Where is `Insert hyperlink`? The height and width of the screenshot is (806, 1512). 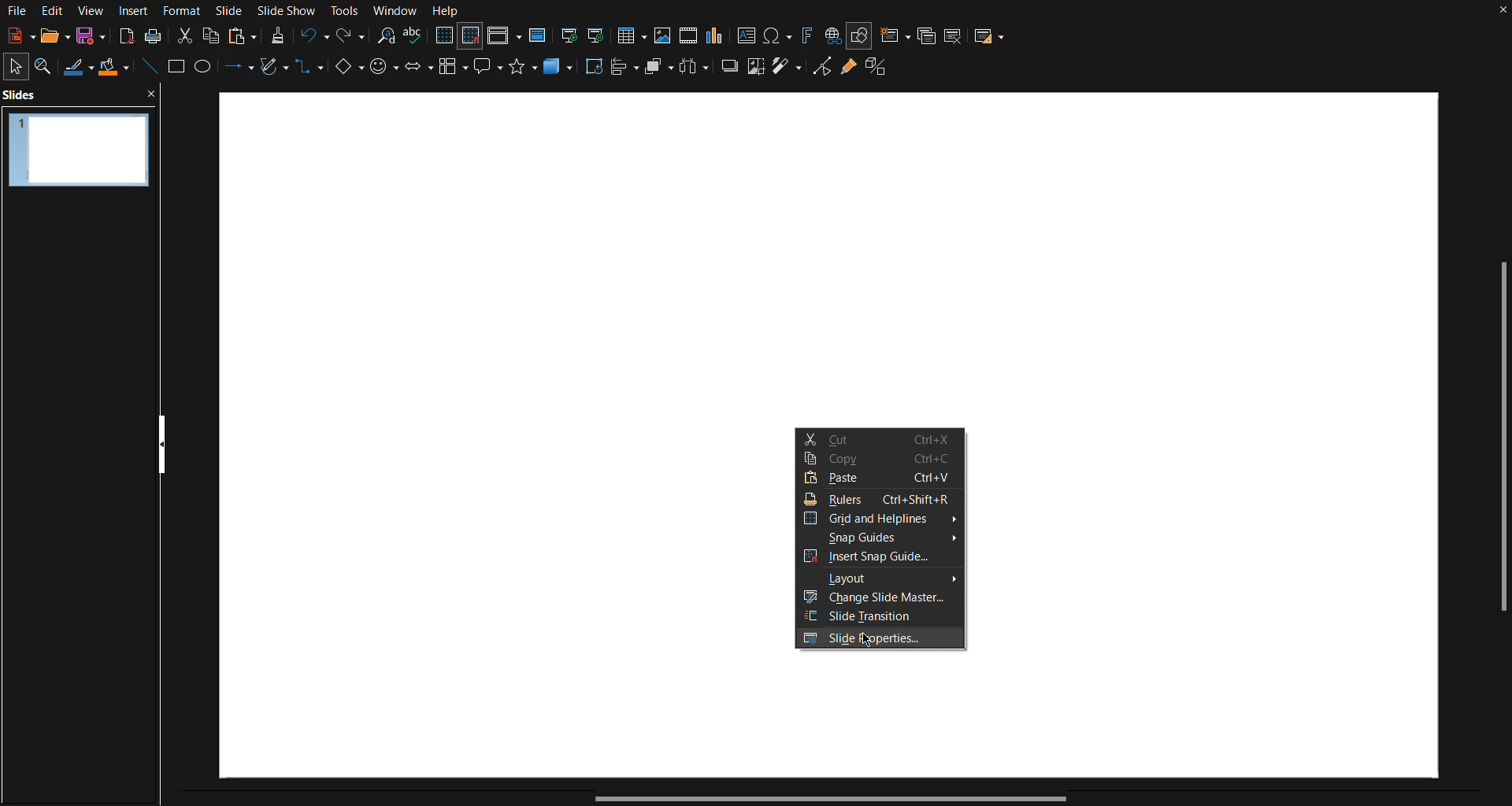 Insert hyperlink is located at coordinates (832, 35).